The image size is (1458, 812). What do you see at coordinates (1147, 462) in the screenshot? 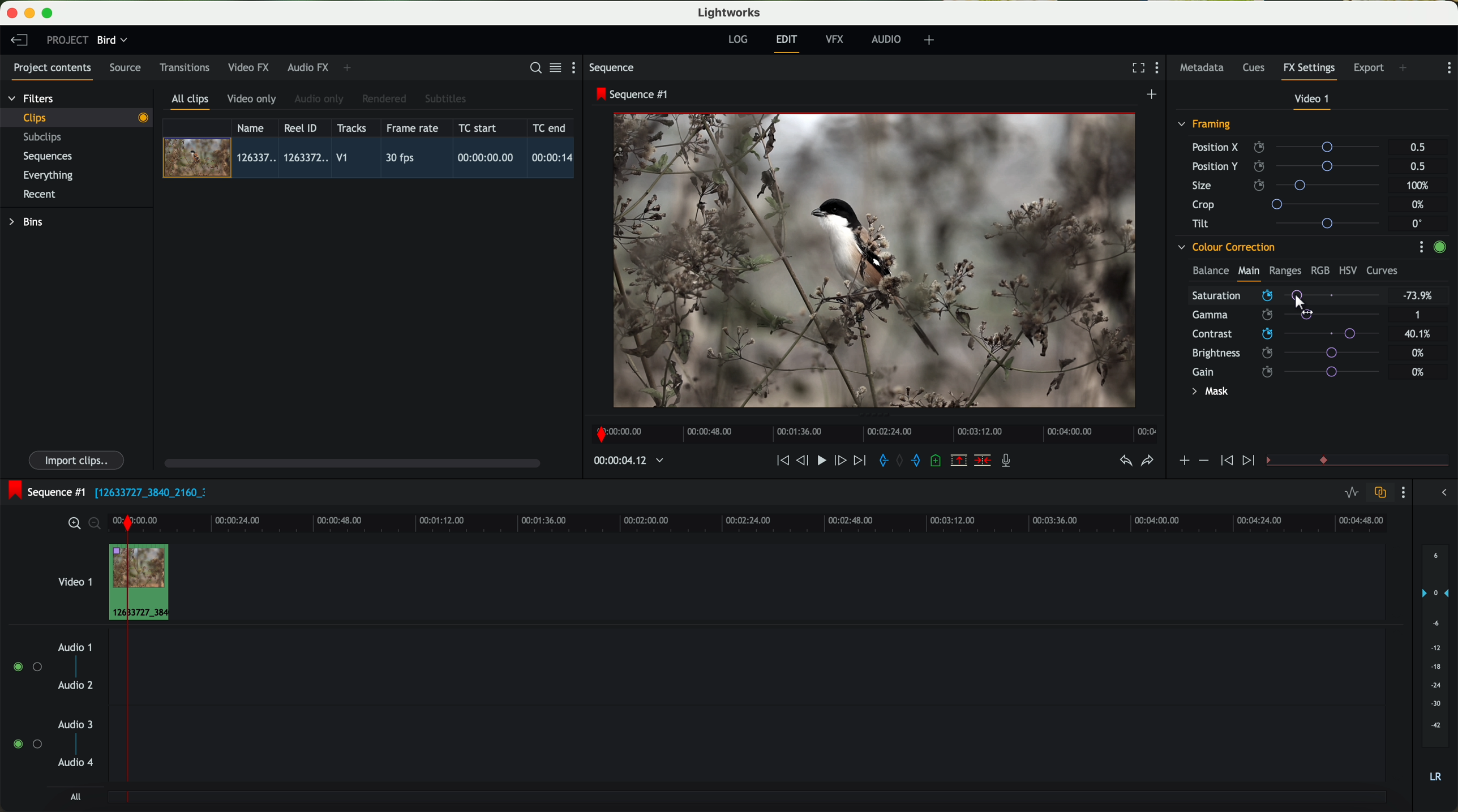
I see `redo` at bounding box center [1147, 462].